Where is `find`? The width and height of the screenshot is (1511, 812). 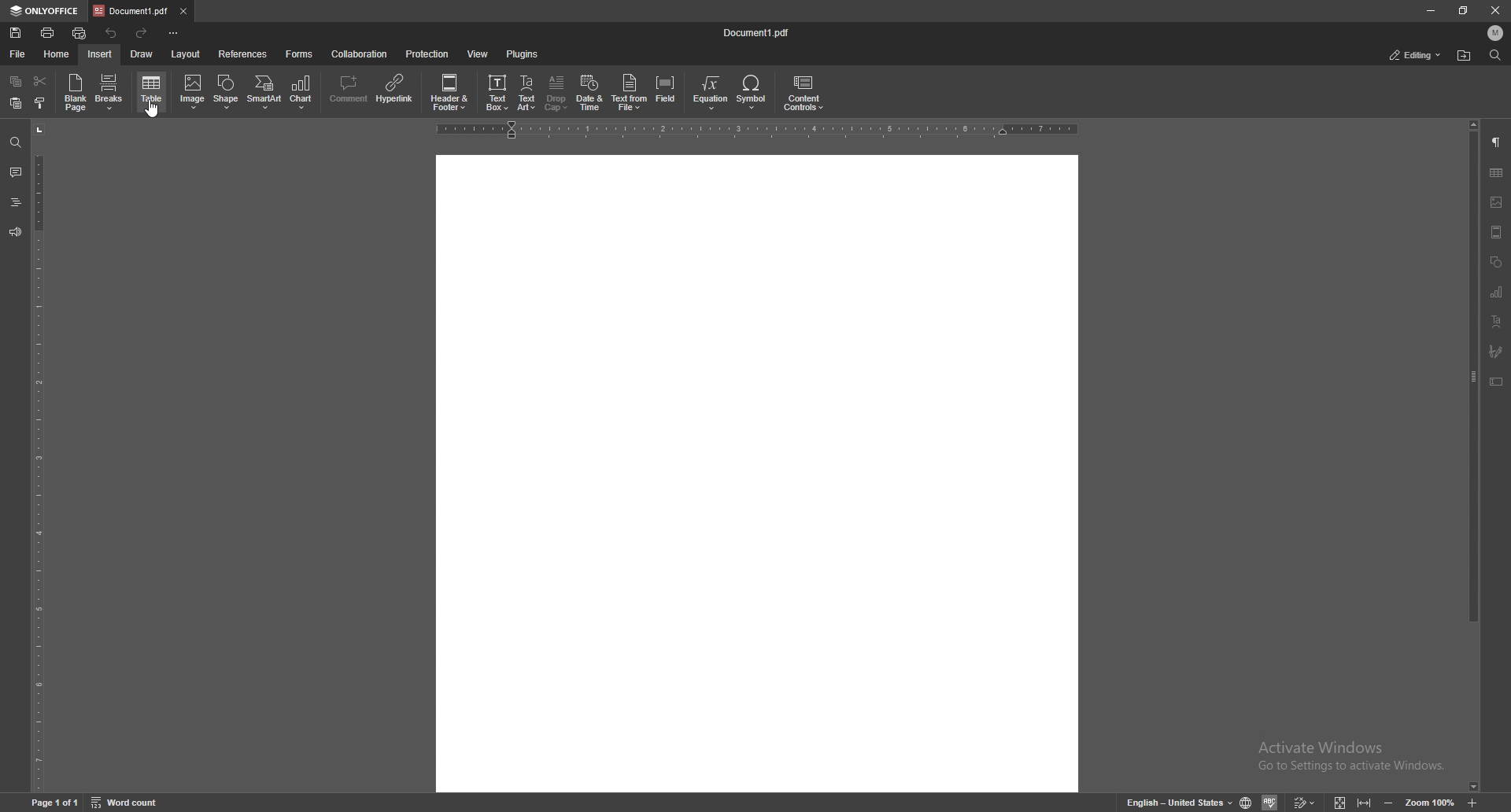
find is located at coordinates (1496, 55).